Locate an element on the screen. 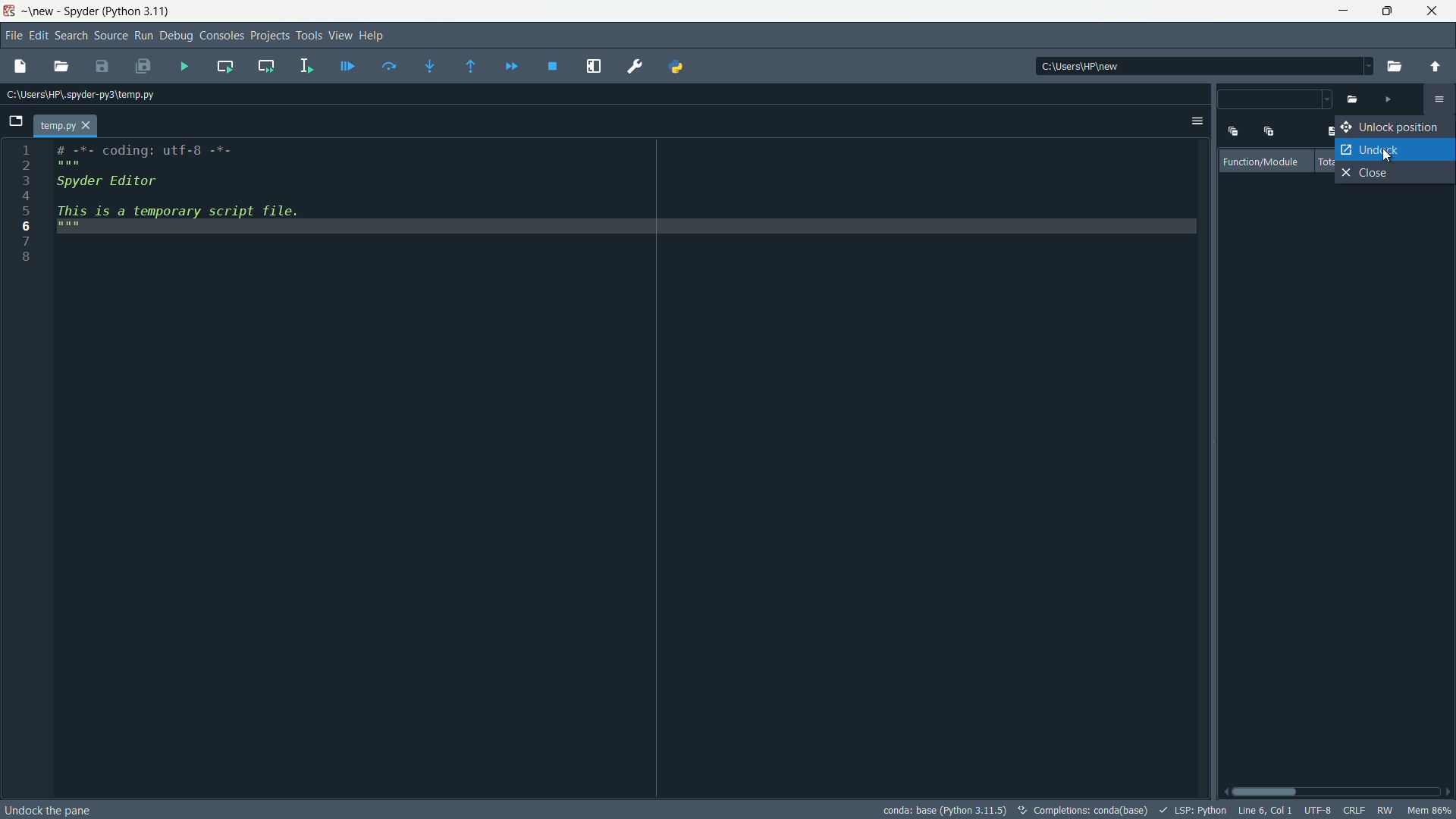  consoles menu is located at coordinates (220, 36).